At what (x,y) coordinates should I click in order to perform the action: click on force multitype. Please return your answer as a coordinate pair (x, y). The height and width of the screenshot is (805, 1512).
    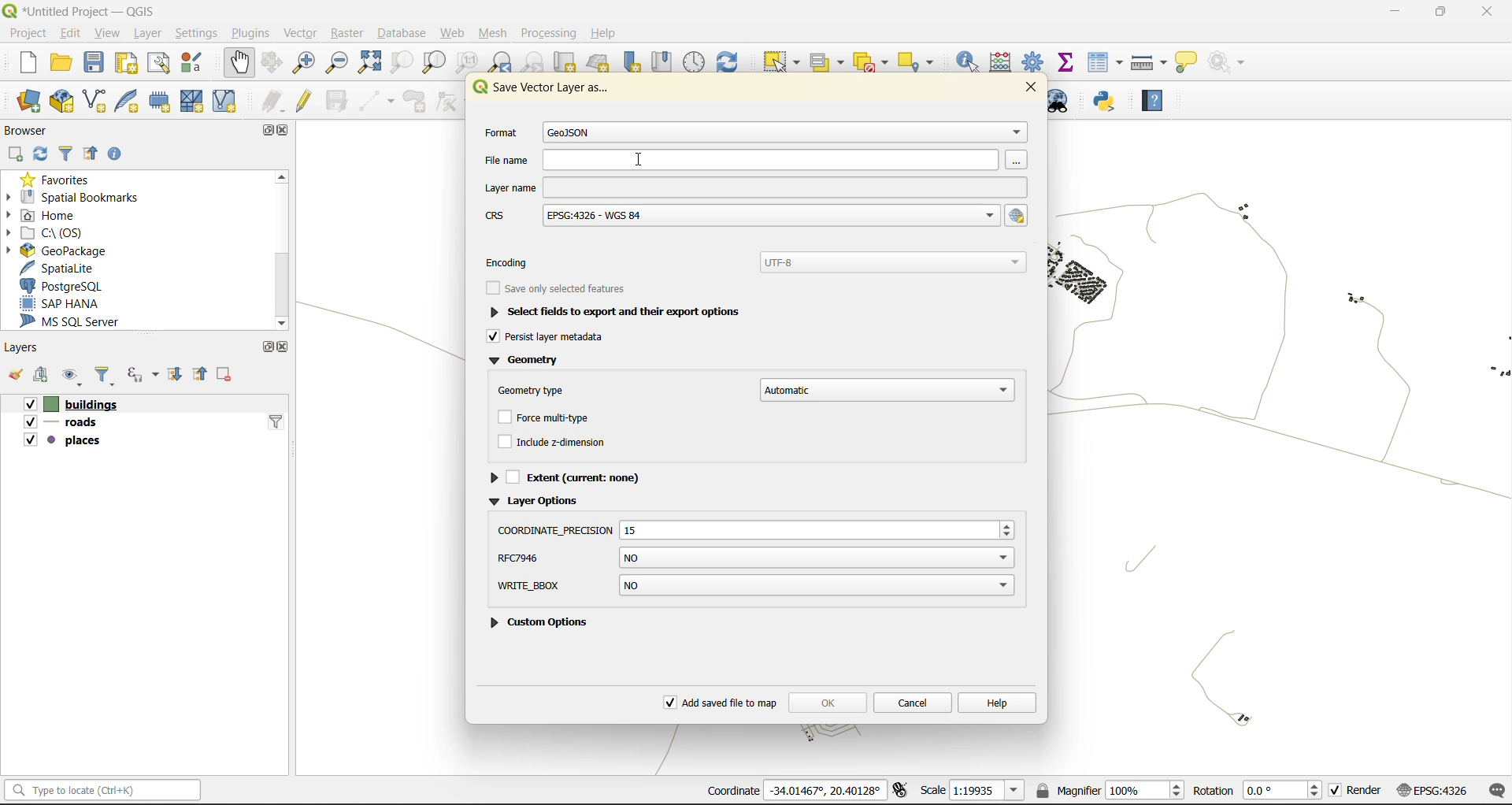
    Looking at the image, I should click on (547, 419).